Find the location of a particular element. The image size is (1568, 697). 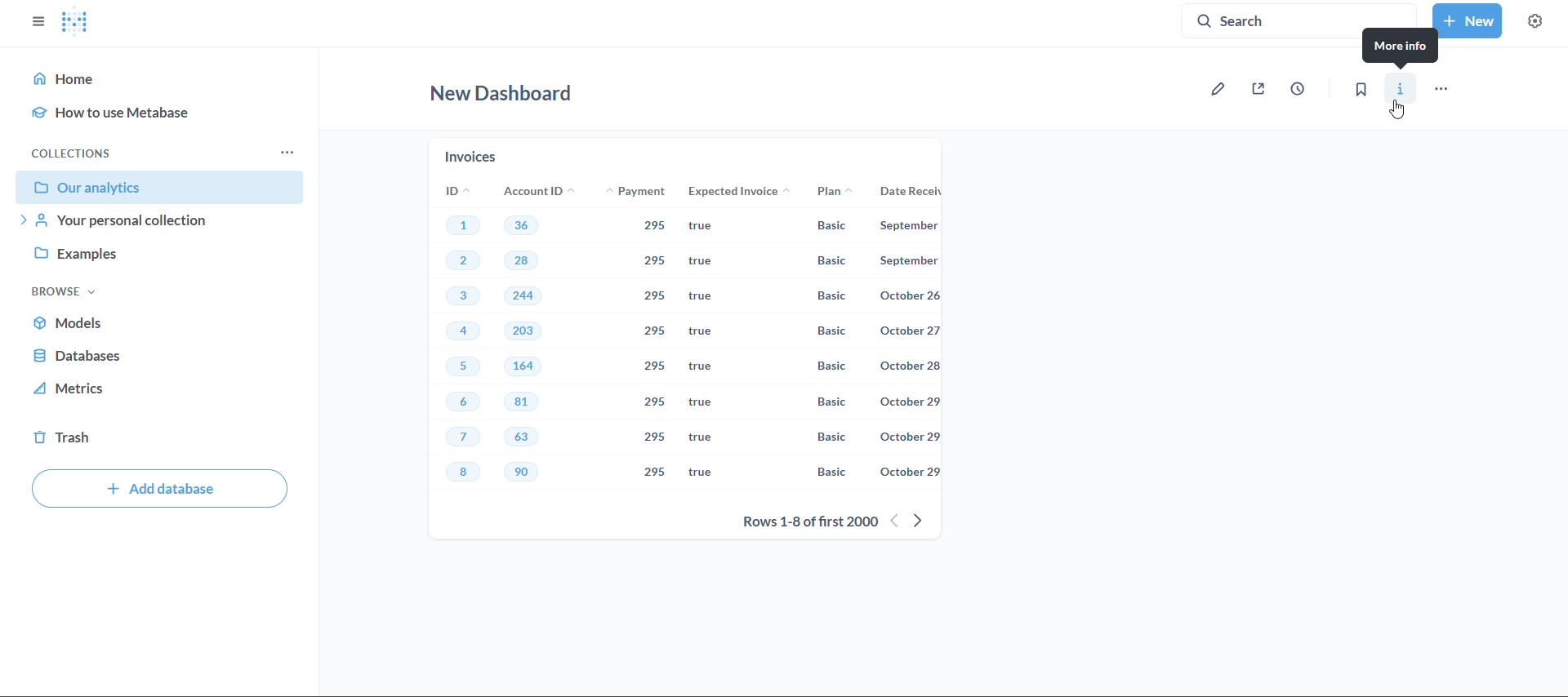

295 is located at coordinates (659, 436).